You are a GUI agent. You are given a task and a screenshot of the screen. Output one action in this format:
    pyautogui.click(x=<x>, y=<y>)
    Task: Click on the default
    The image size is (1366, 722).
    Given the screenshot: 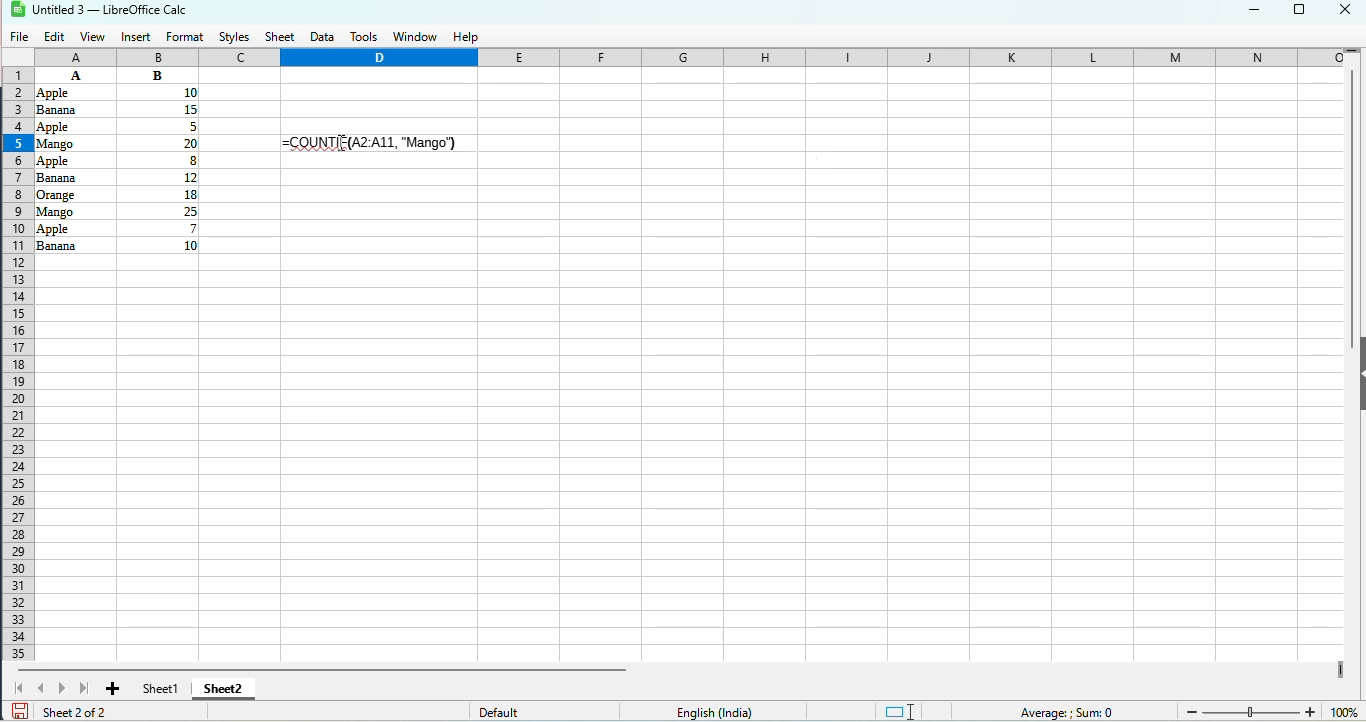 What is the action you would take?
    pyautogui.click(x=499, y=708)
    